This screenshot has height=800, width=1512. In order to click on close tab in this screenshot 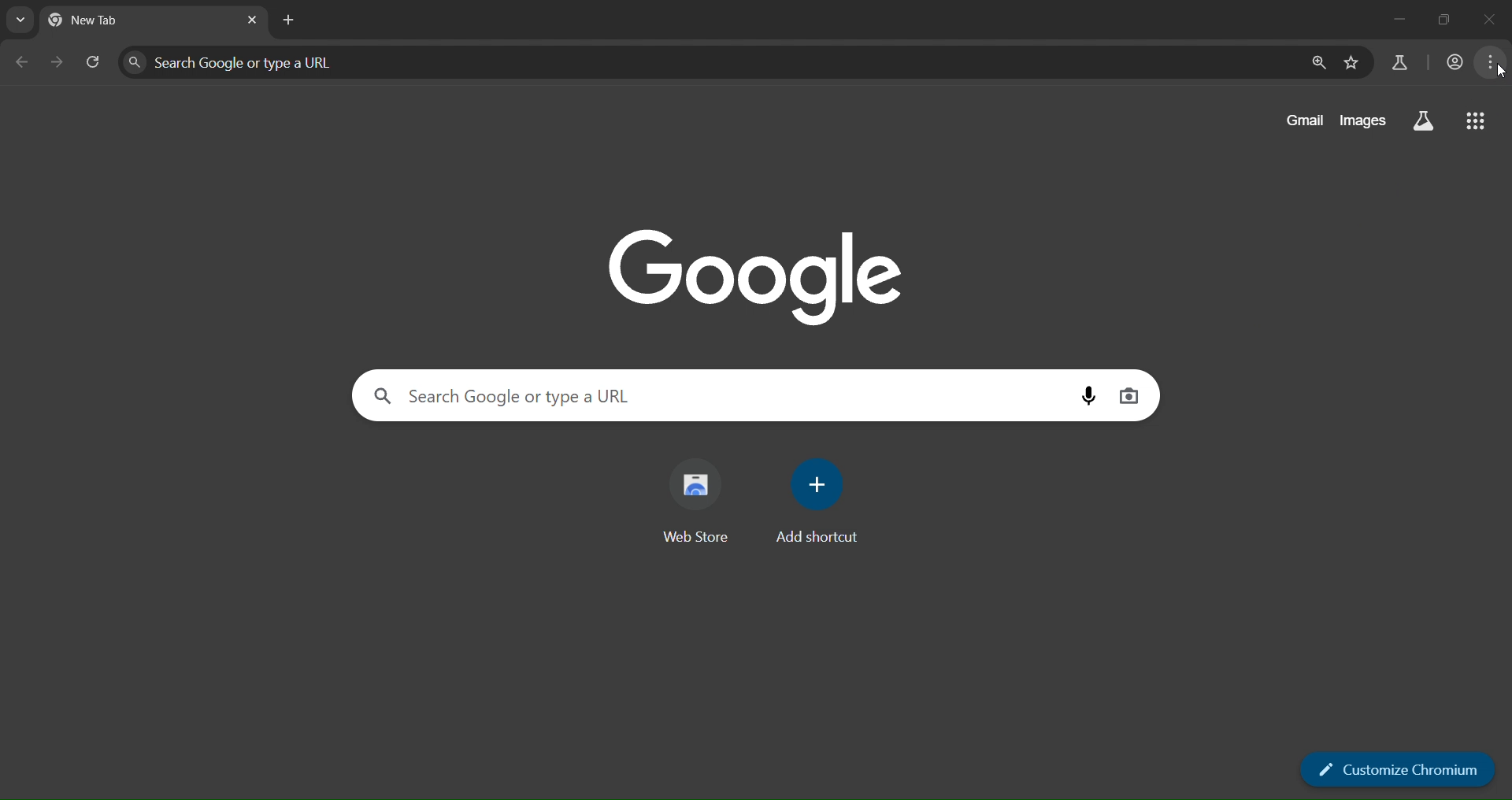, I will do `click(254, 20)`.